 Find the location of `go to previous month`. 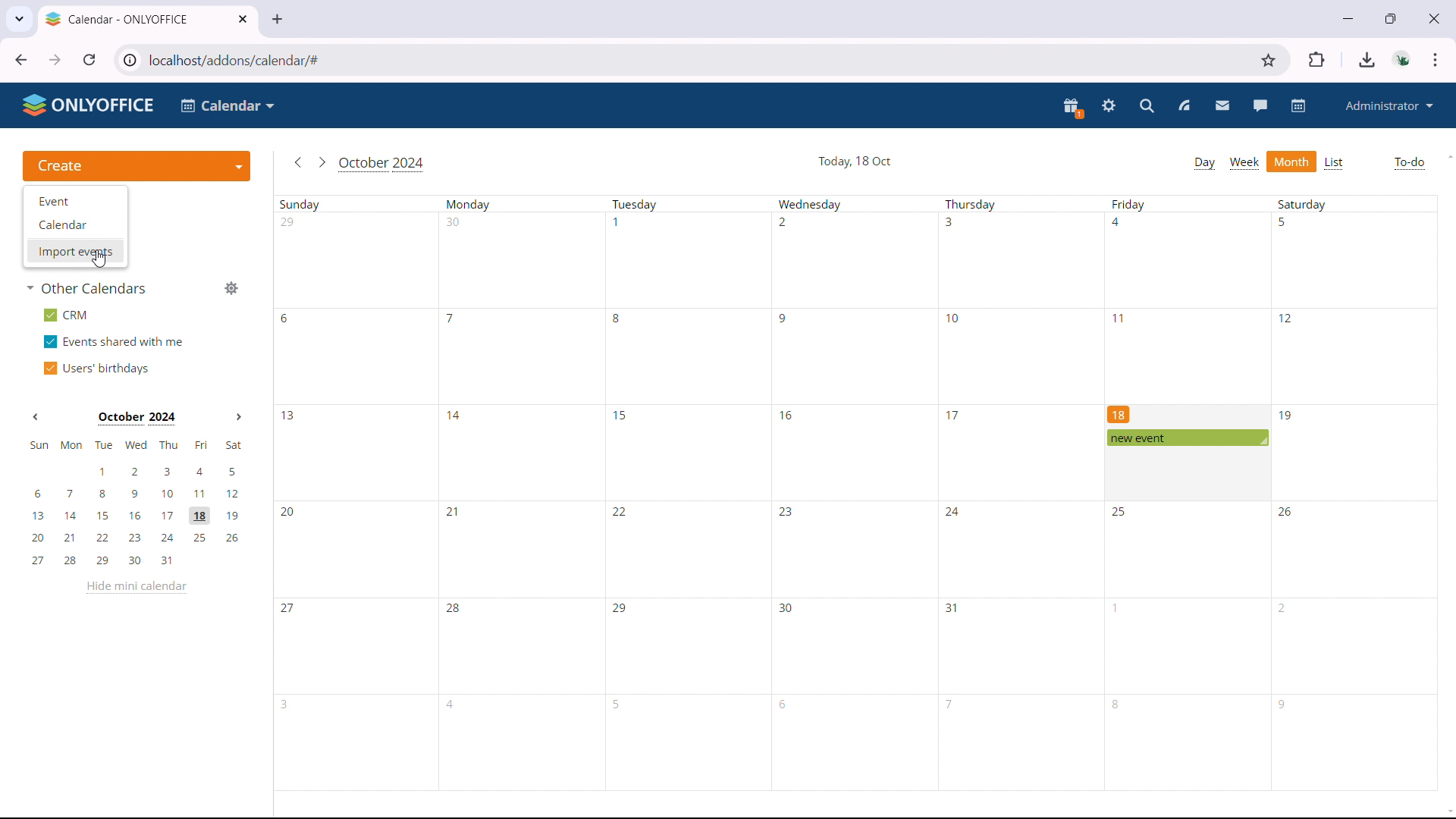

go to previous month is located at coordinates (297, 163).